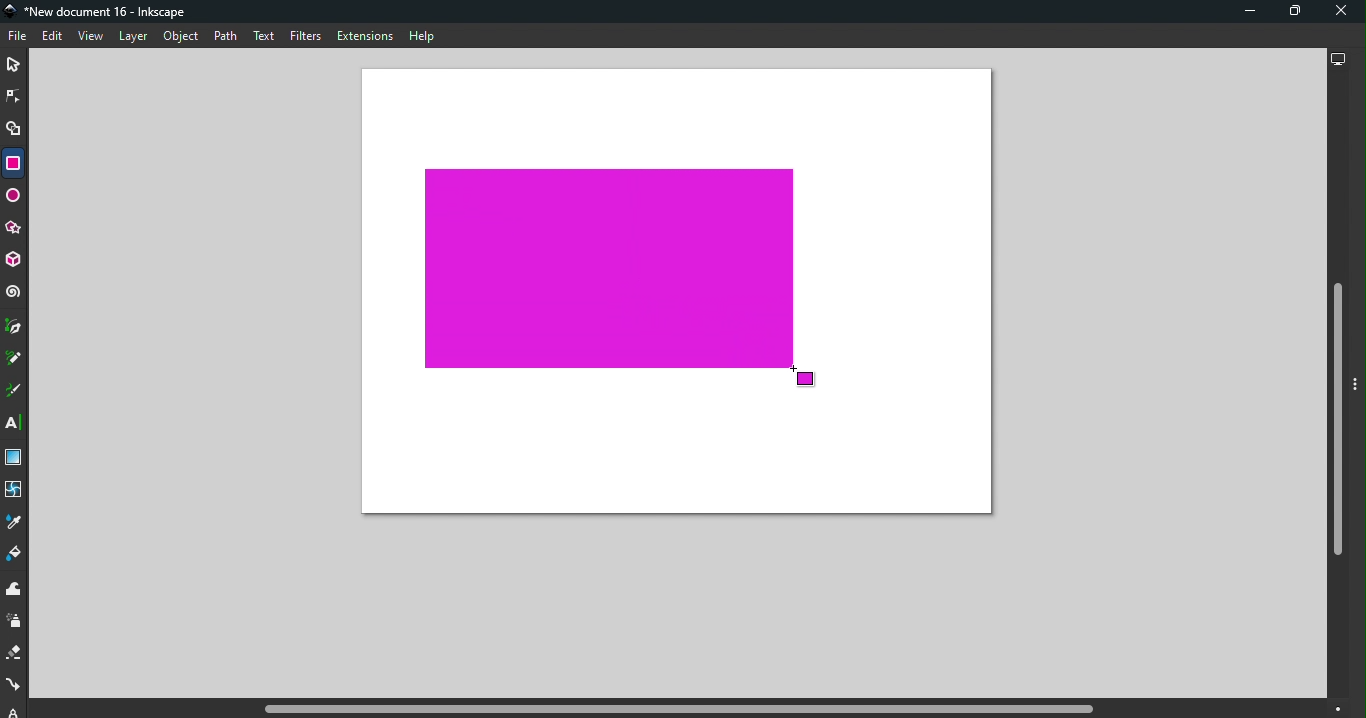 The image size is (1366, 718). I want to click on Vertical scroll bar, so click(1336, 387).